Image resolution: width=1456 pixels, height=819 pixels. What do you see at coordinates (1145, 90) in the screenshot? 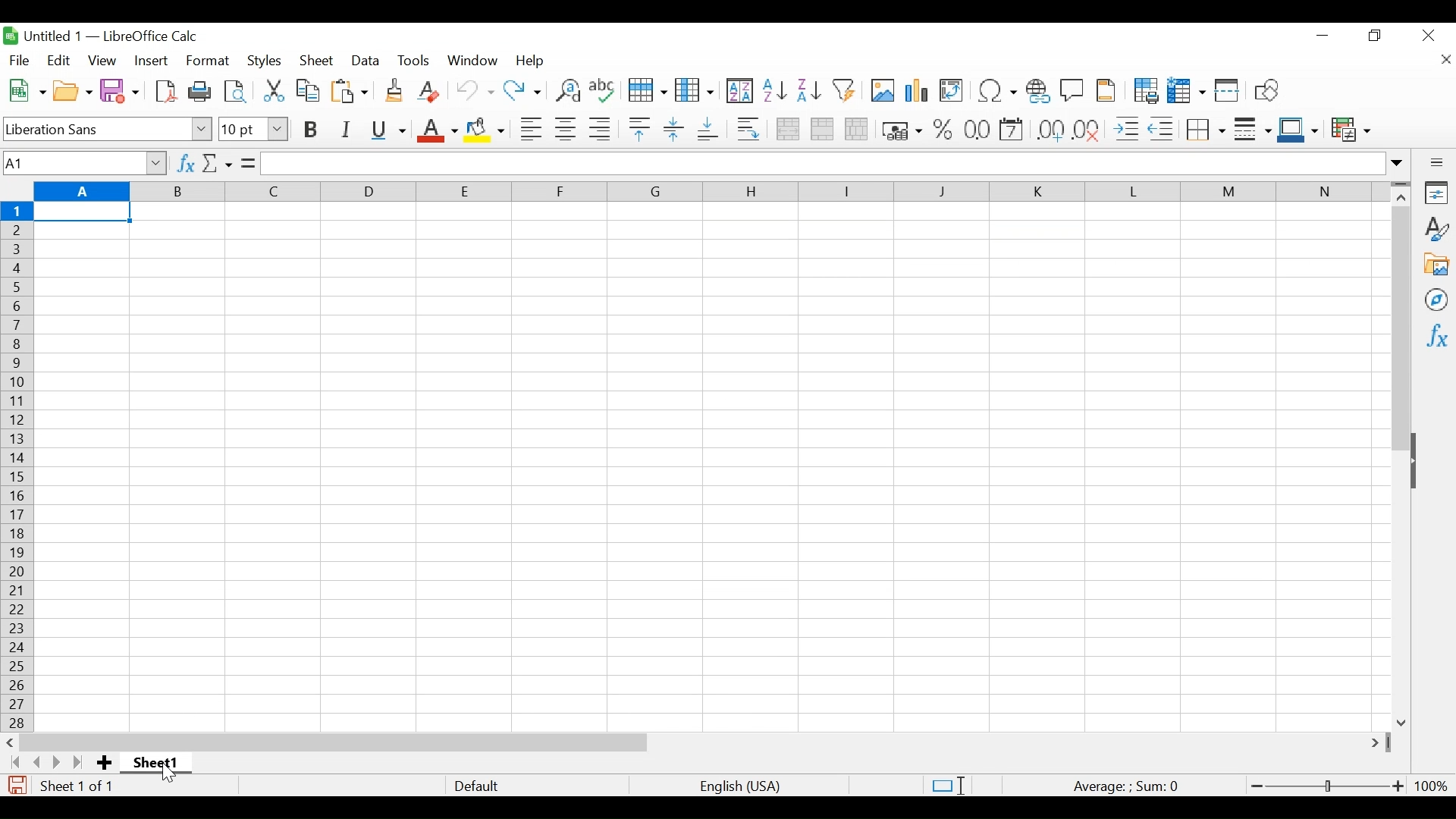
I see `Define Print Area` at bounding box center [1145, 90].